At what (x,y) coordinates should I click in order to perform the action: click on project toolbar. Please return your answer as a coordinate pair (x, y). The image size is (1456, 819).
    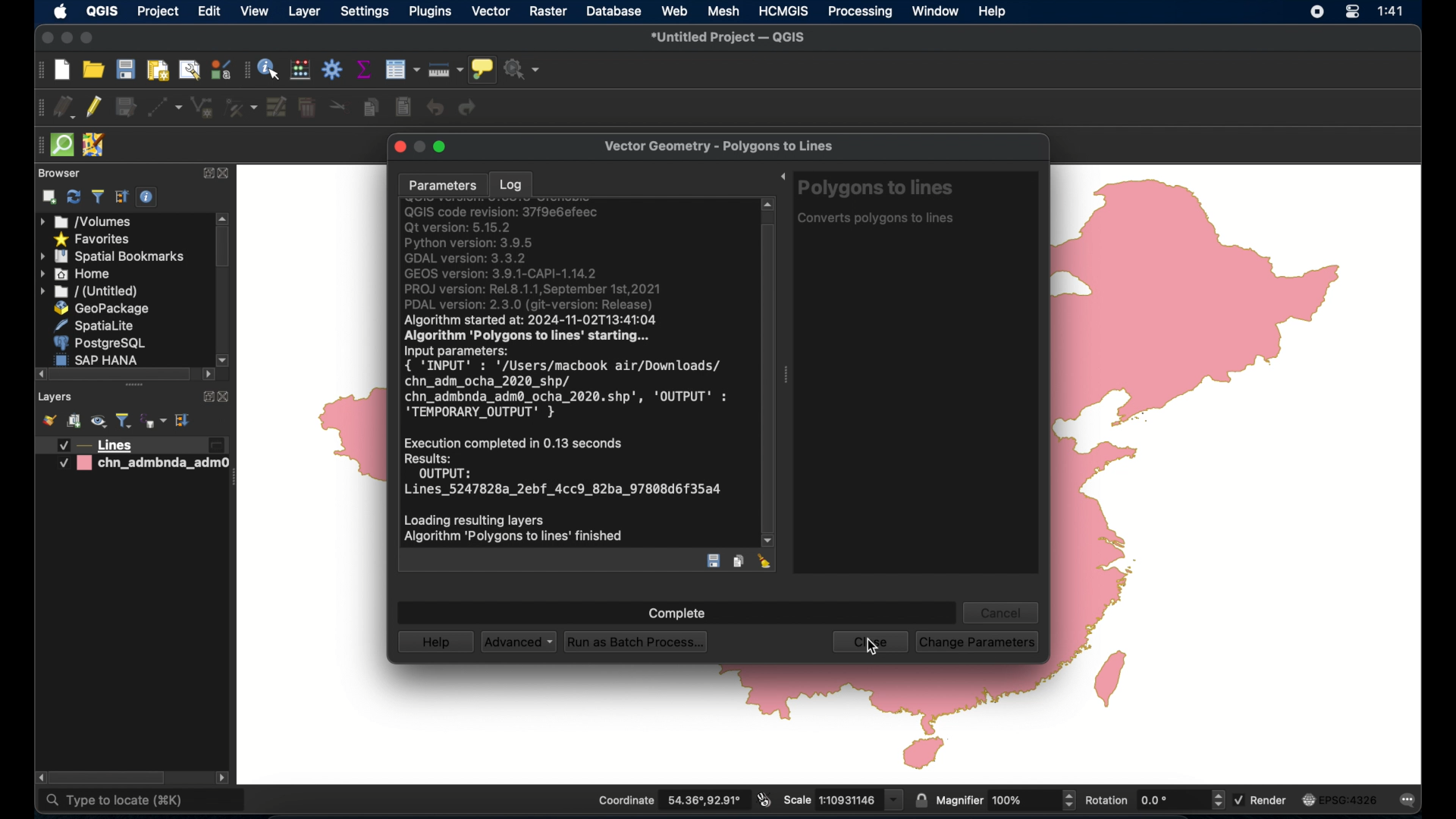
    Looking at the image, I should click on (42, 70).